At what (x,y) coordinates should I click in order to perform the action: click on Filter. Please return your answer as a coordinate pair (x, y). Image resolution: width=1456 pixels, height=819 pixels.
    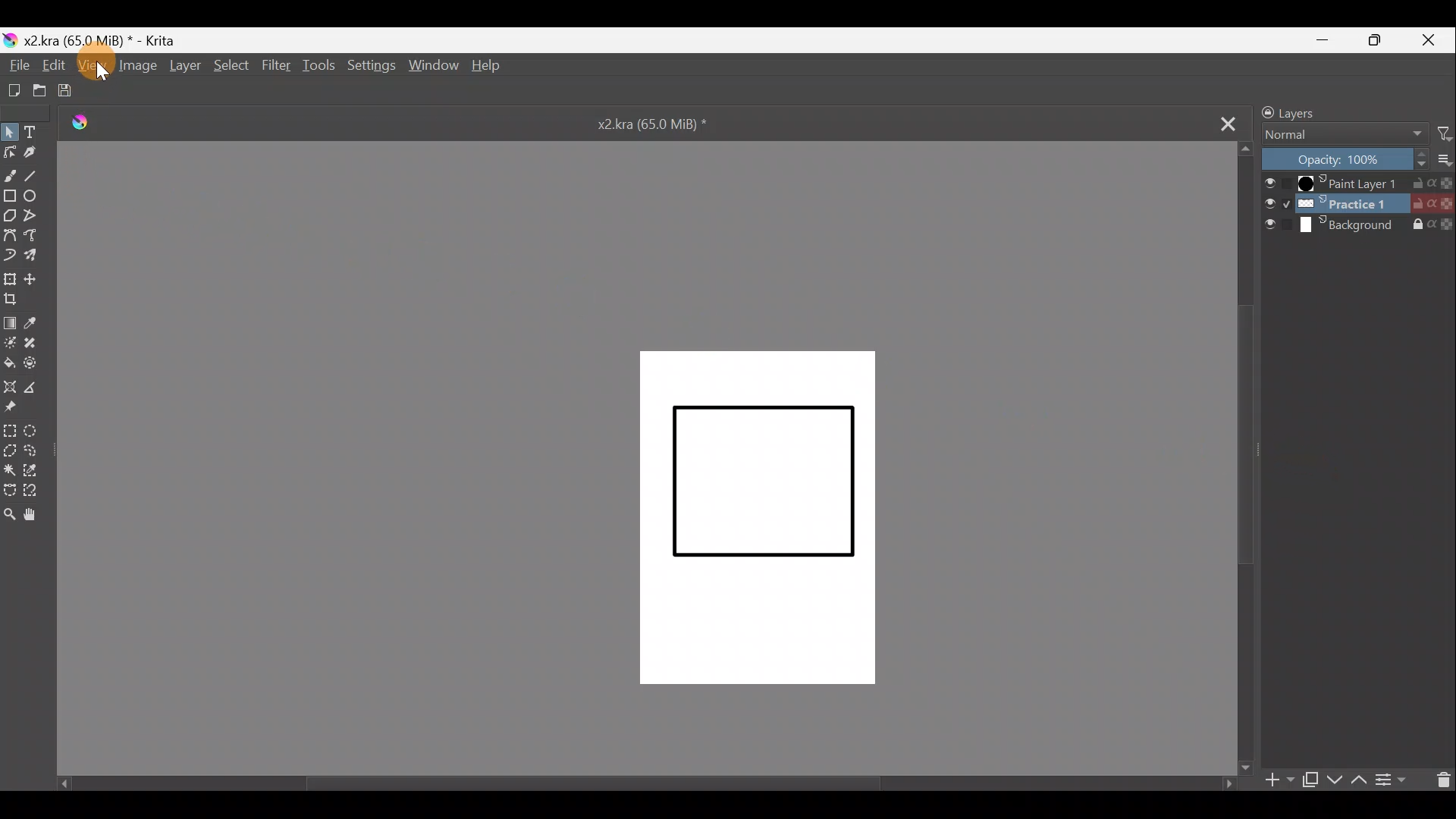
    Looking at the image, I should click on (277, 64).